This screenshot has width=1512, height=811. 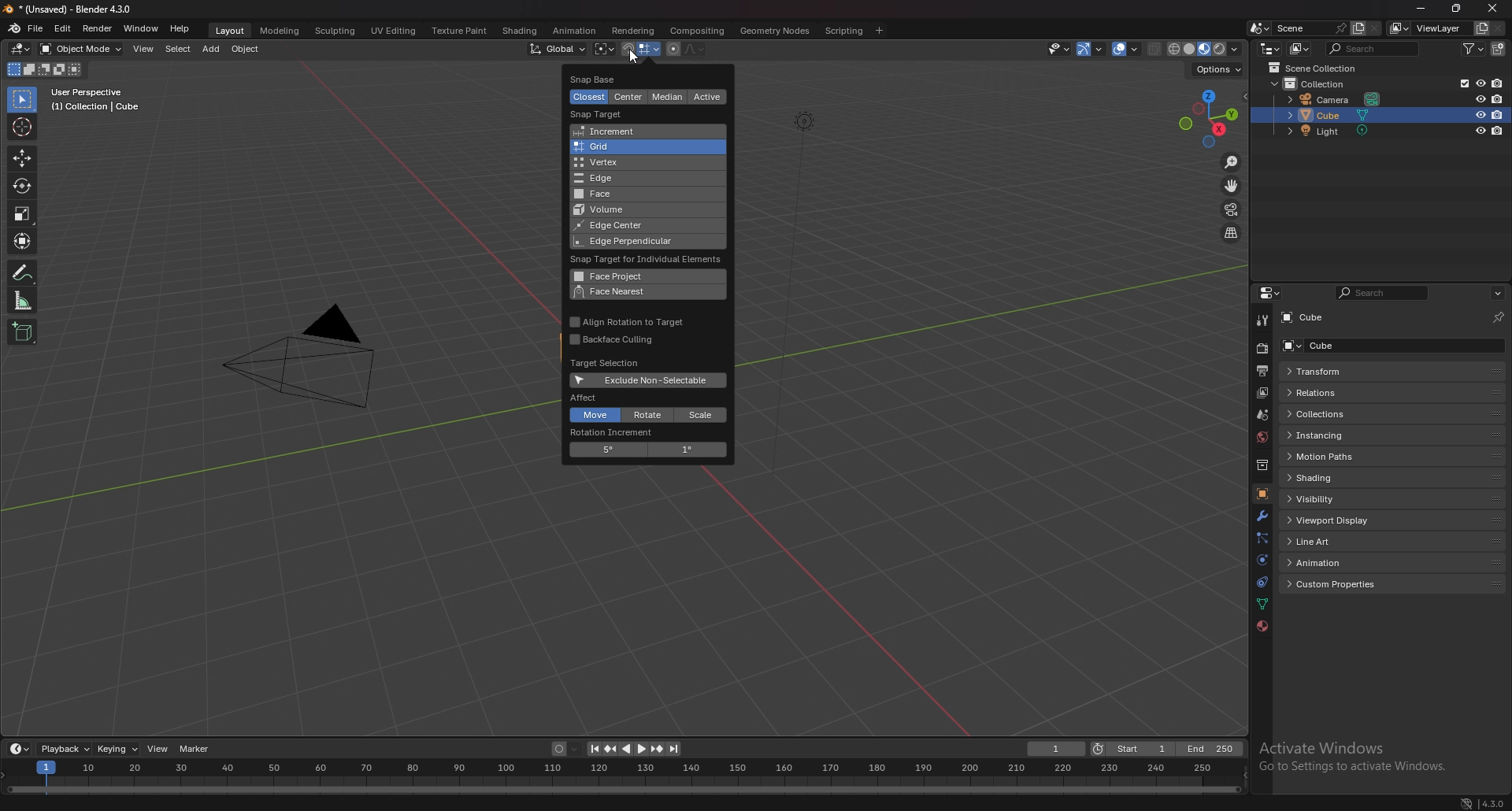 What do you see at coordinates (1058, 749) in the screenshot?
I see `current frame` at bounding box center [1058, 749].